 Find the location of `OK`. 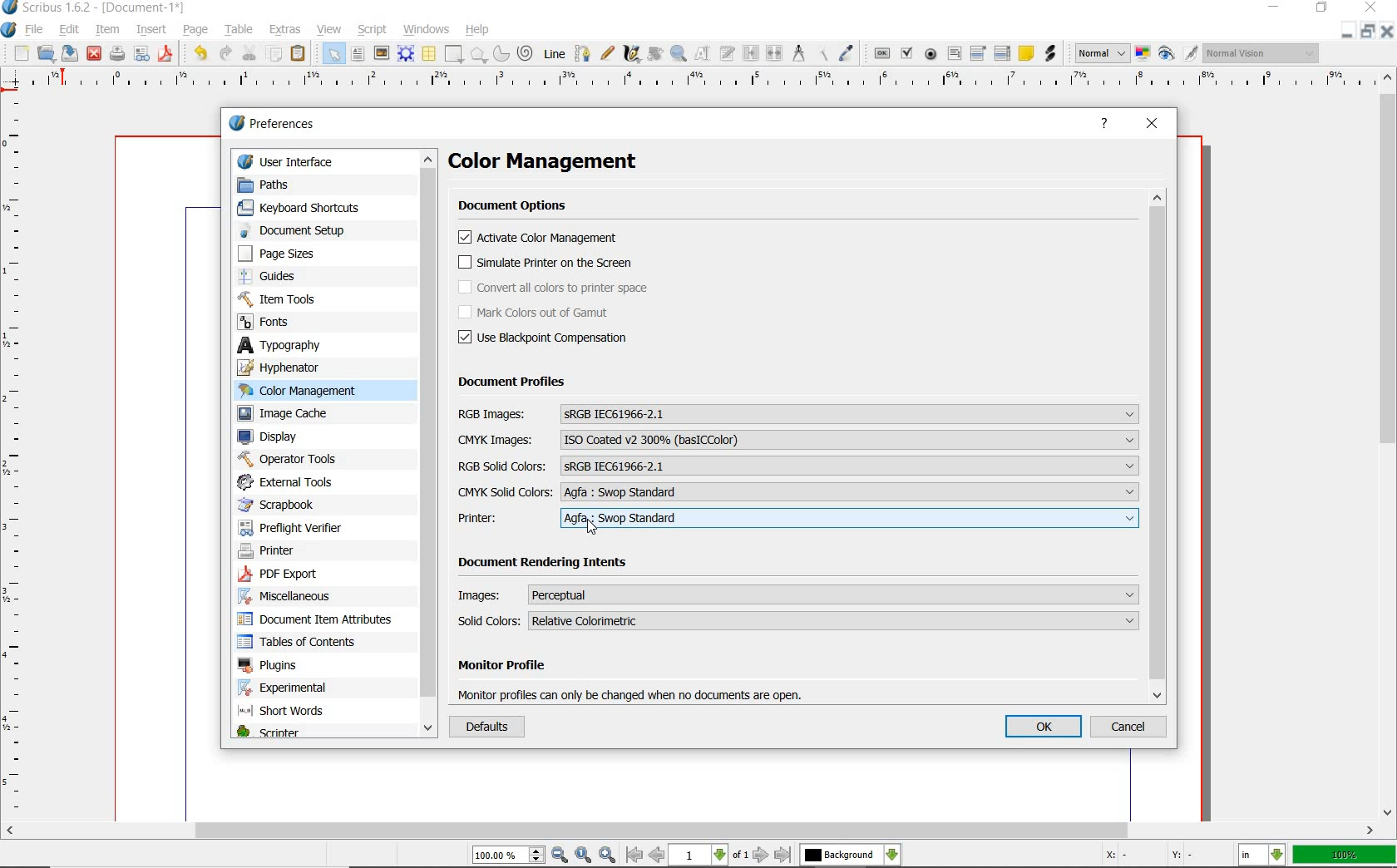

OK is located at coordinates (1044, 727).